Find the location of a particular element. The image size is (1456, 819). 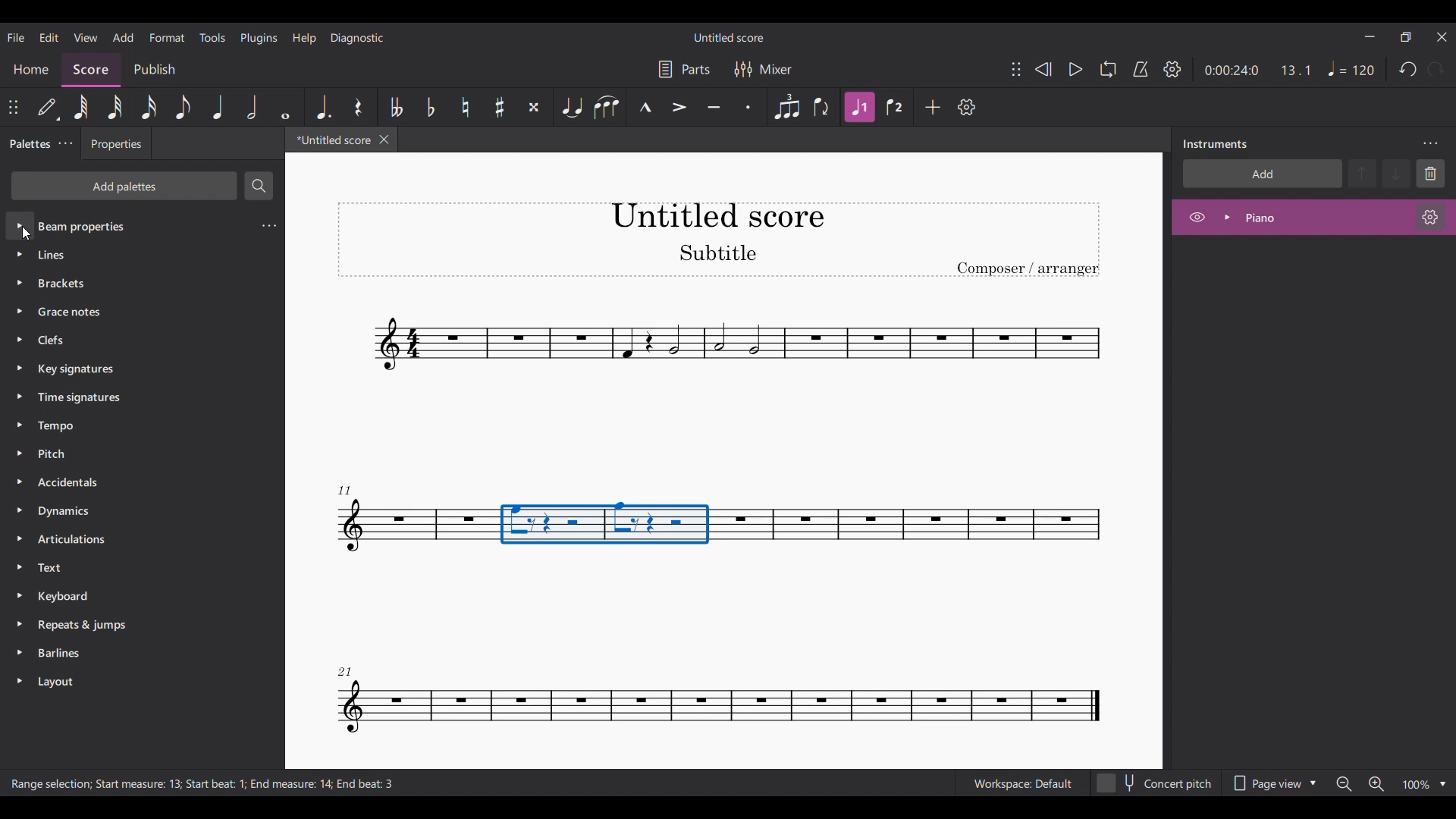

Show/Hide is located at coordinates (1197, 218).